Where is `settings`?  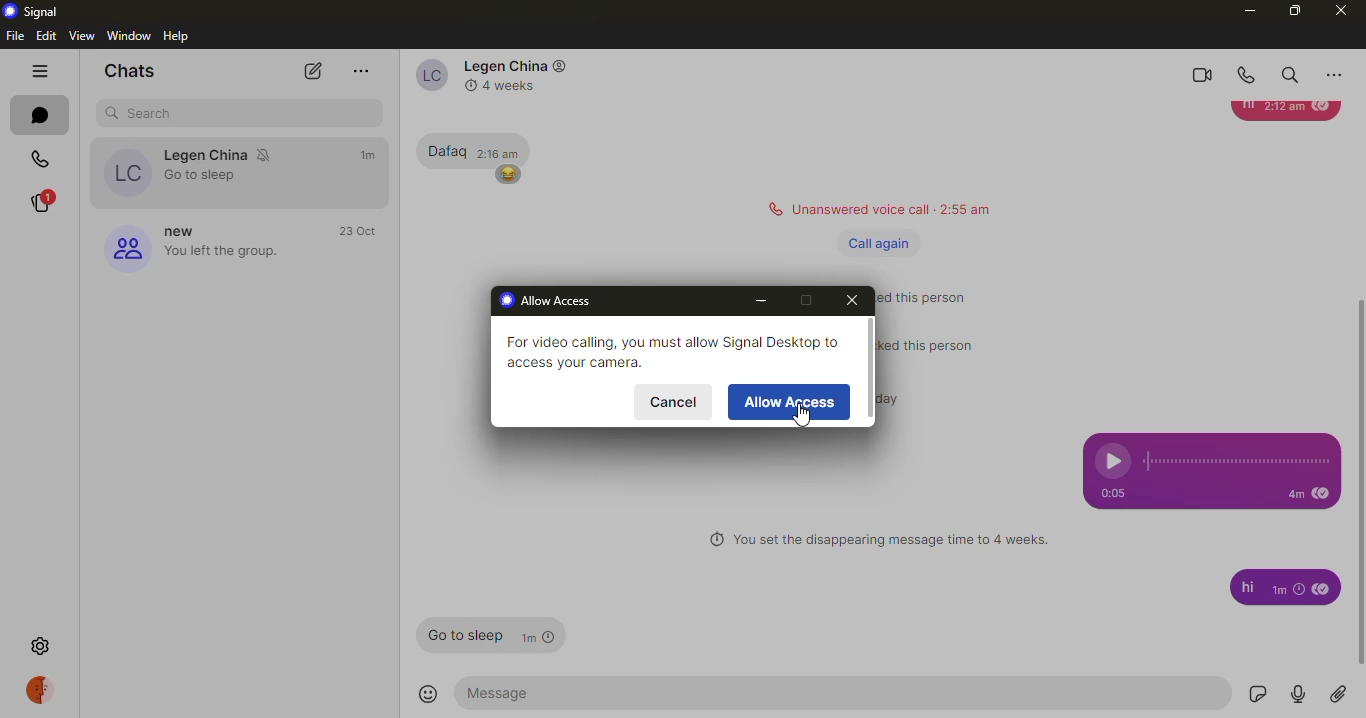 settings is located at coordinates (41, 646).